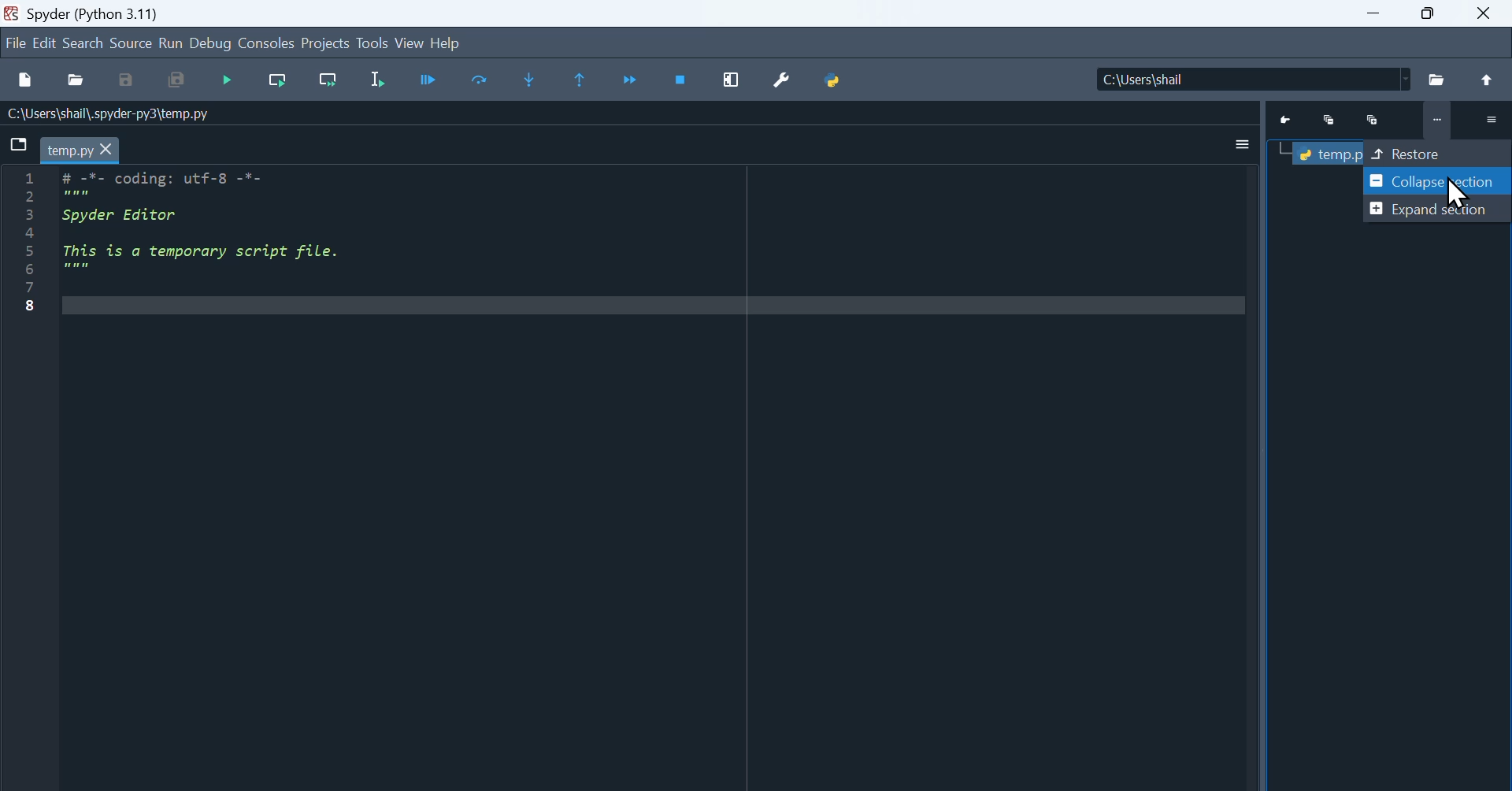 This screenshot has width=1512, height=791. I want to click on Python path manager, so click(833, 81).